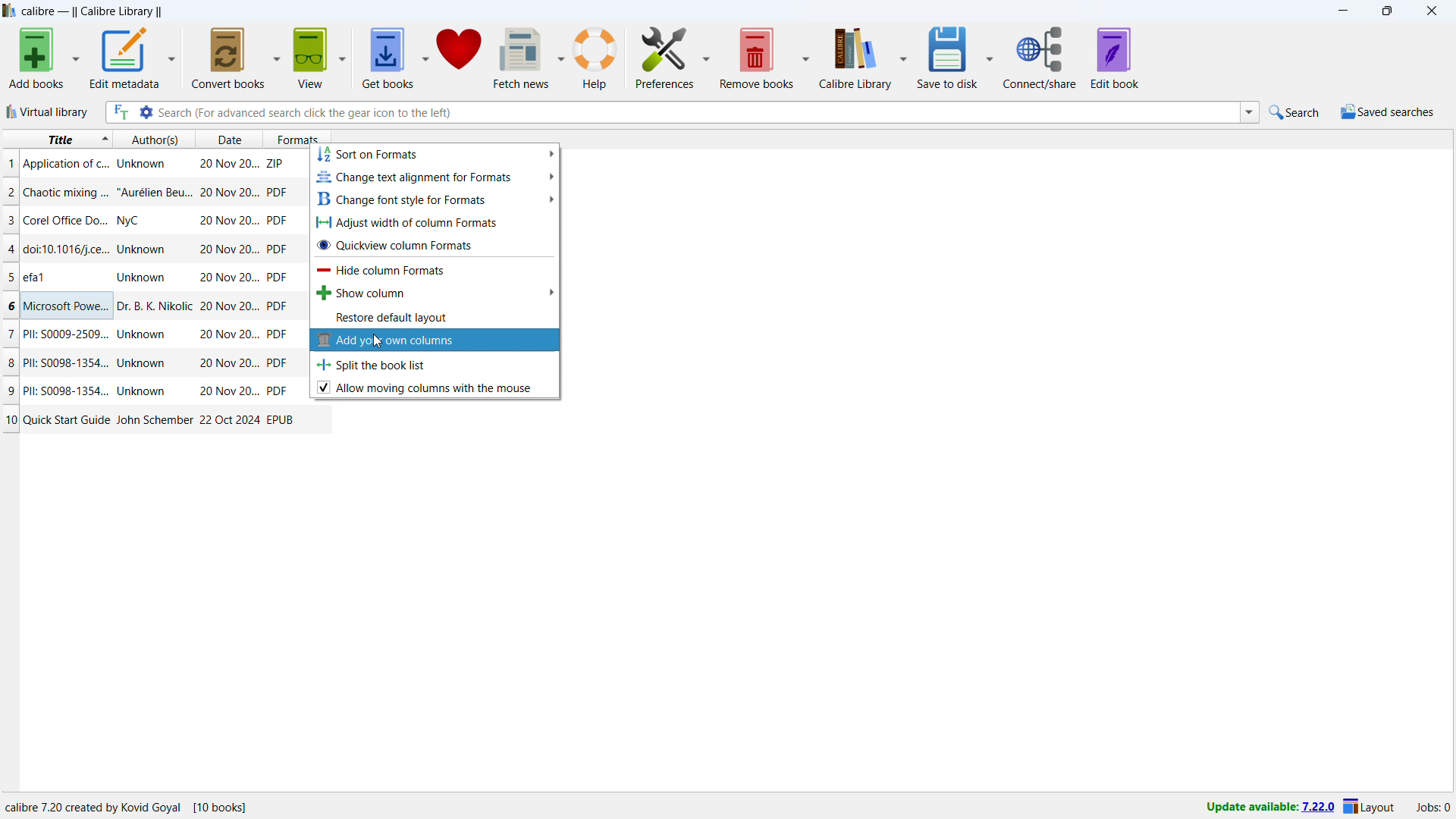 The width and height of the screenshot is (1456, 819). Describe the element at coordinates (227, 139) in the screenshot. I see `date` at that location.